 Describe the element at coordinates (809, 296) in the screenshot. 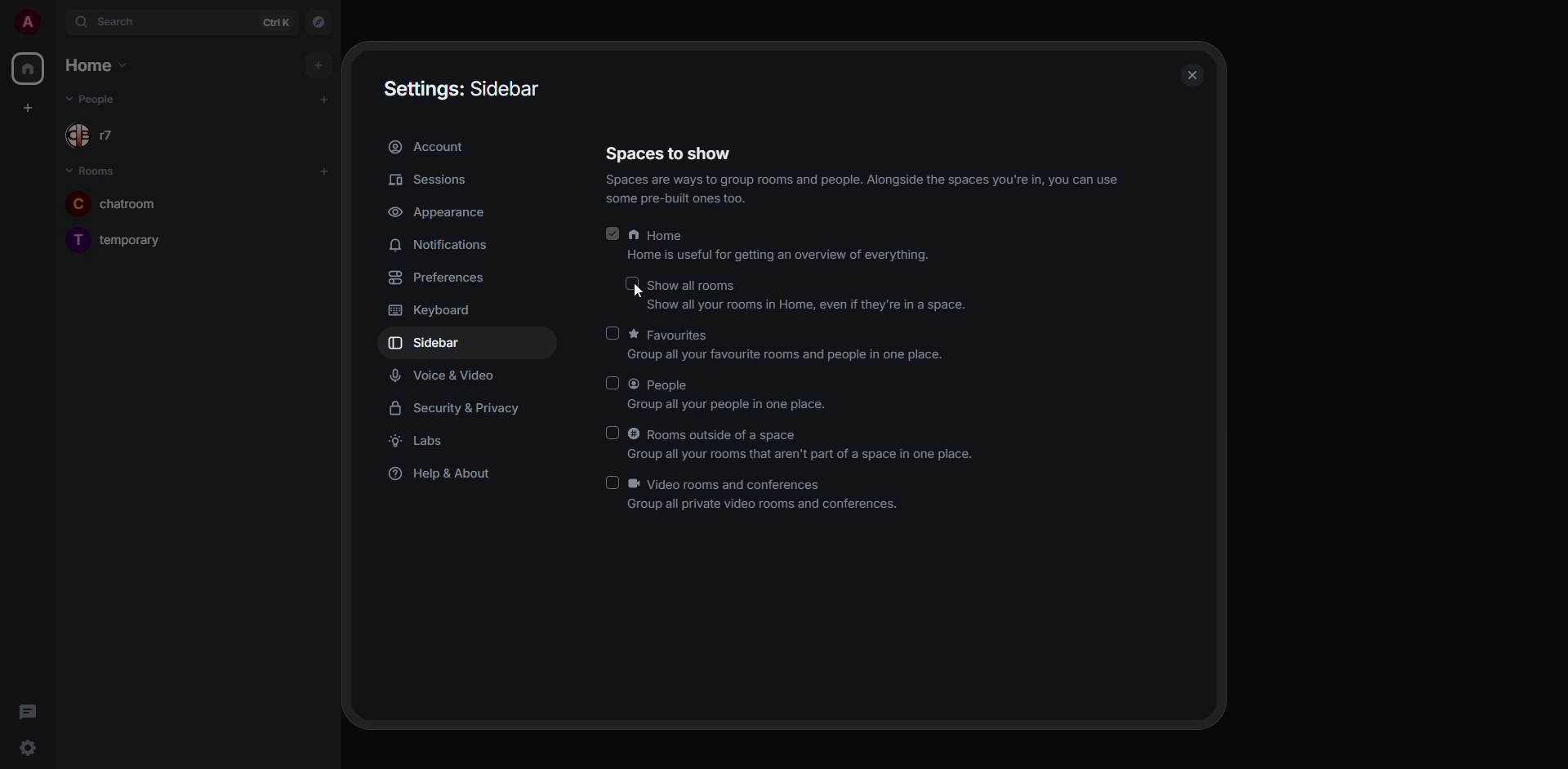

I see `Show all rooms
Show all your rooms in Home, even if they're in a space.` at that location.